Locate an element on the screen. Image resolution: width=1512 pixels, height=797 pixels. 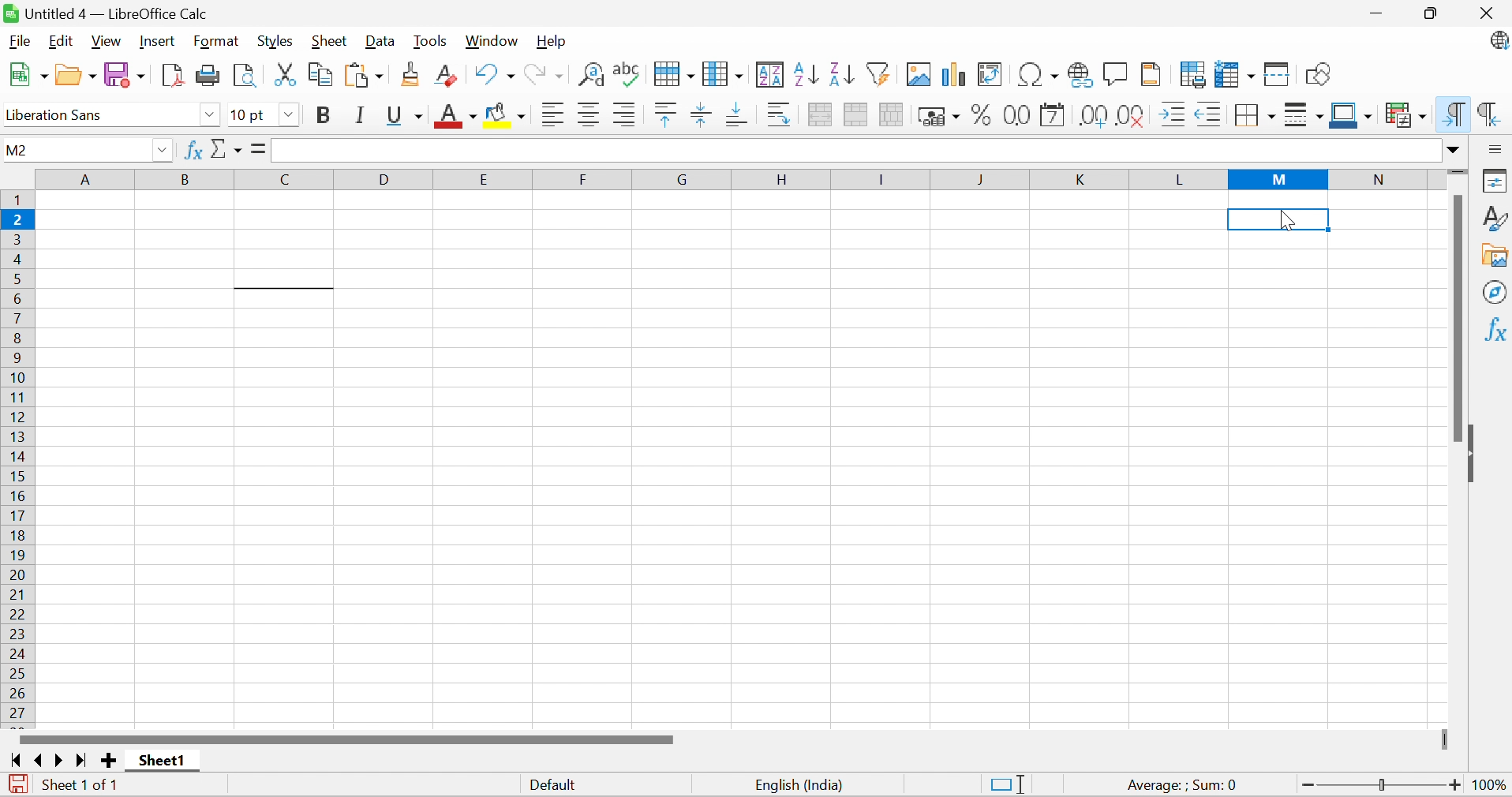
The document has been modified. Click to save the document. is located at coordinates (18, 786).